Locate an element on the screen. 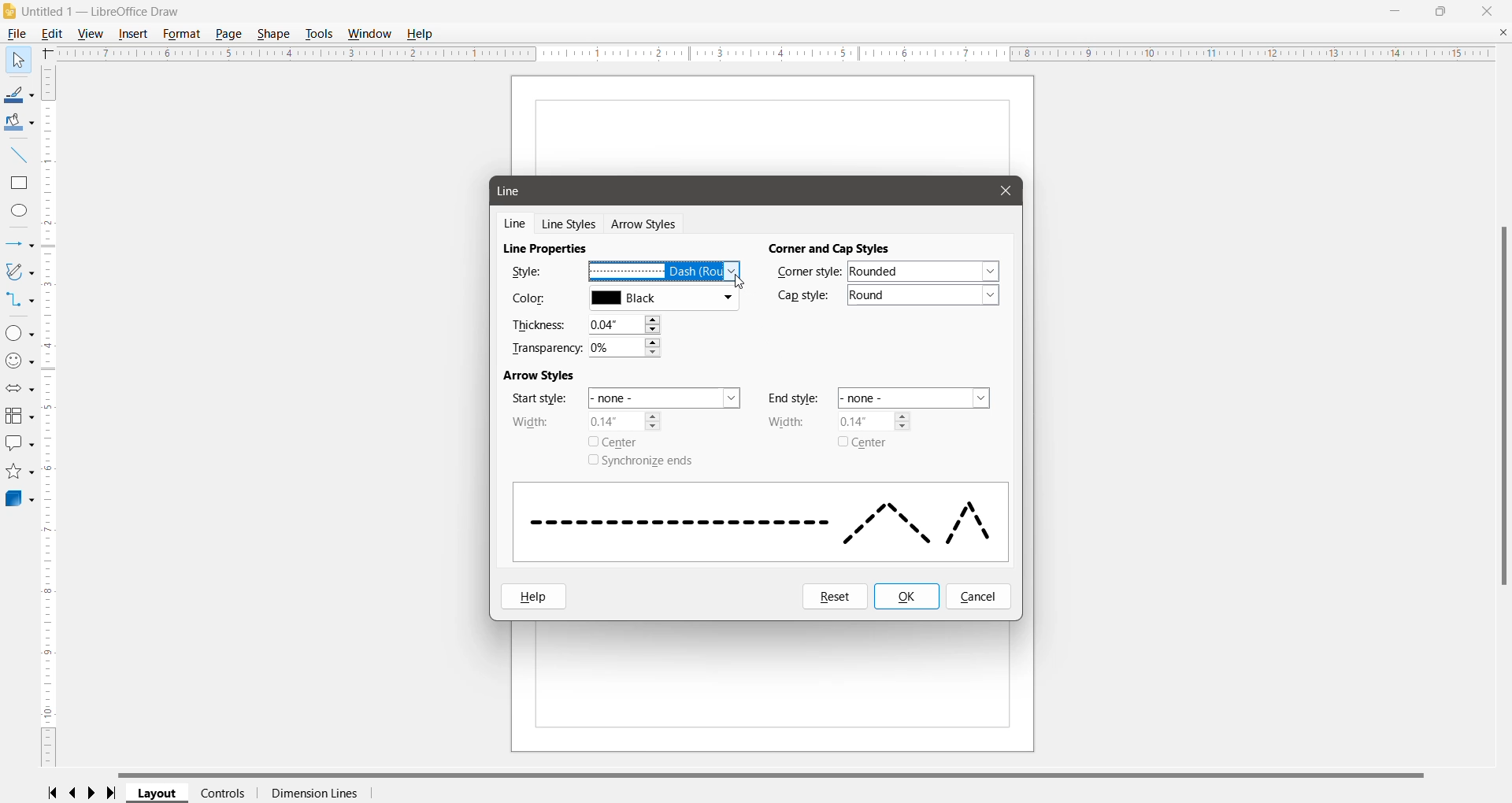 The image size is (1512, 803). Cursor is located at coordinates (1003, 191).